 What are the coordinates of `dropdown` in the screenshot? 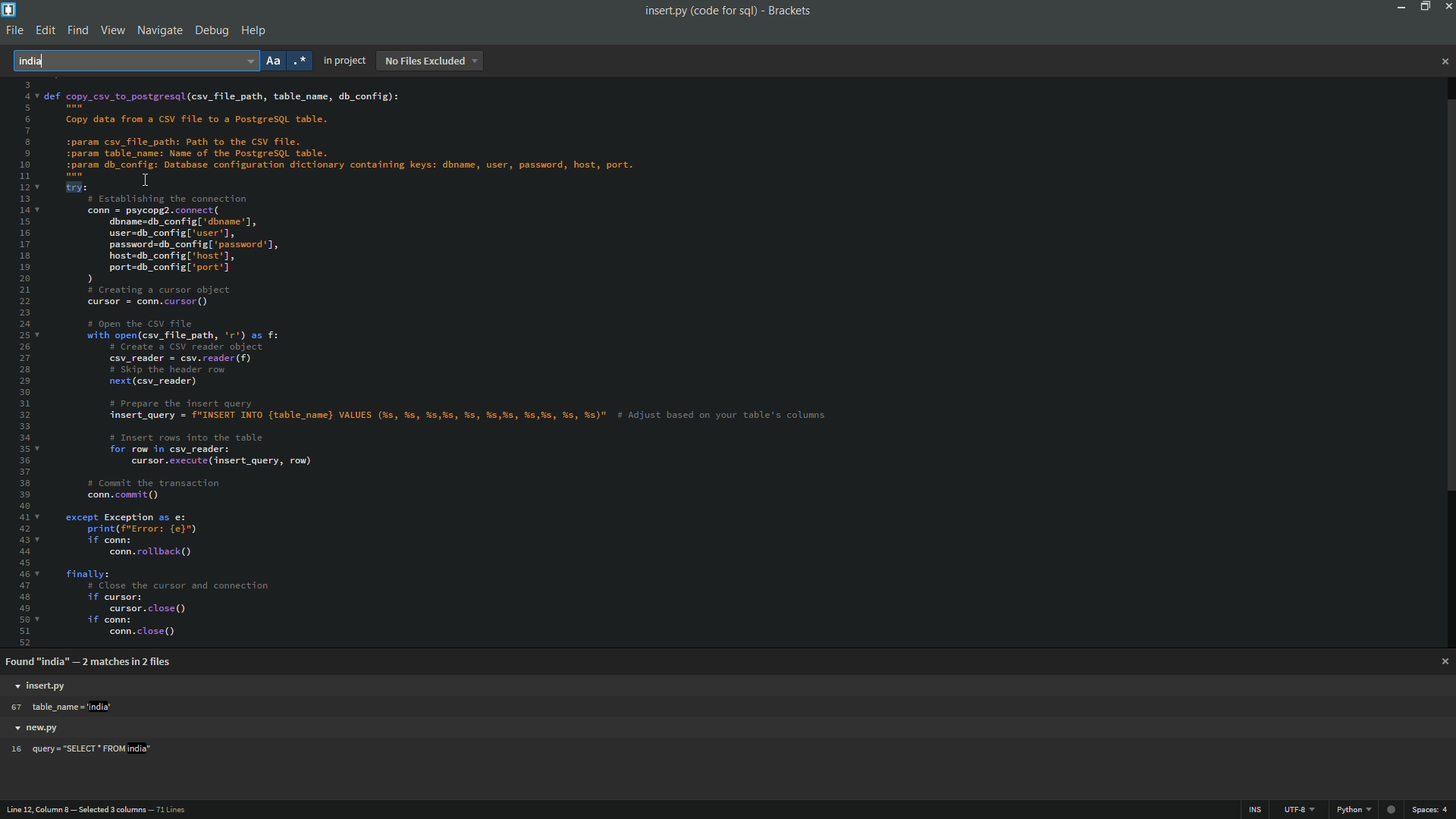 It's located at (248, 60).